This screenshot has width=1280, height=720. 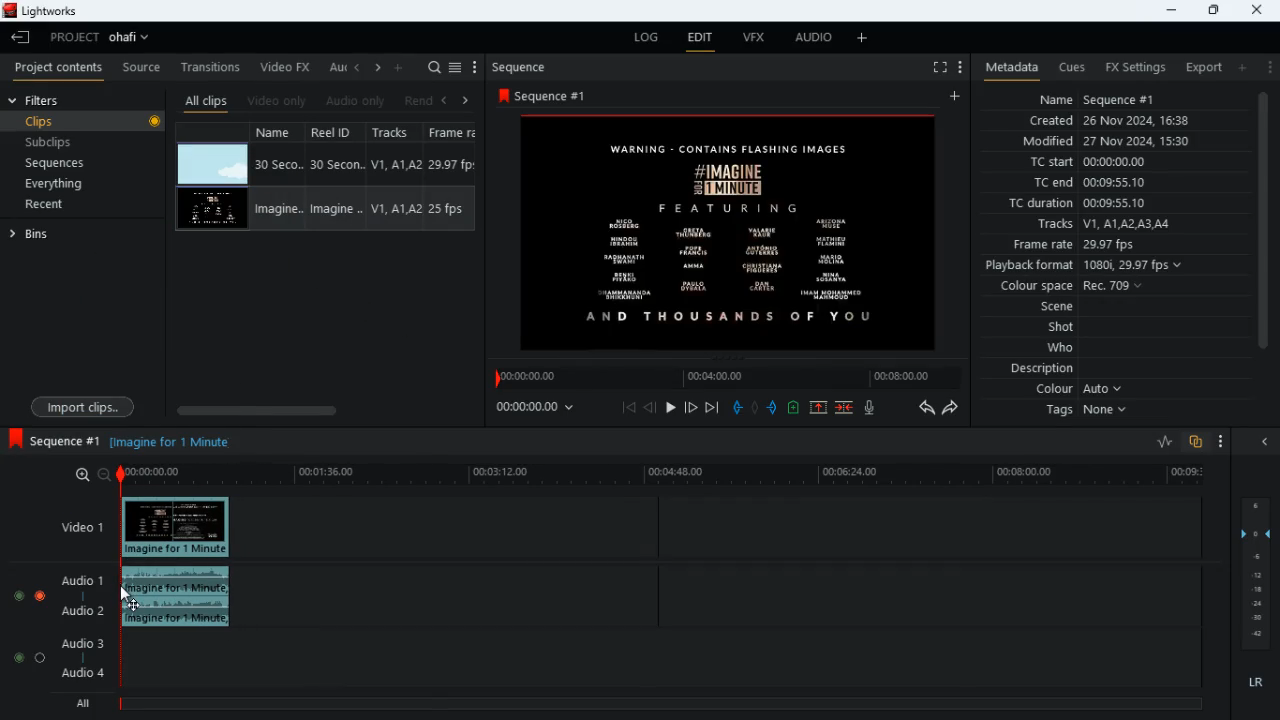 I want to click on real id, so click(x=338, y=132).